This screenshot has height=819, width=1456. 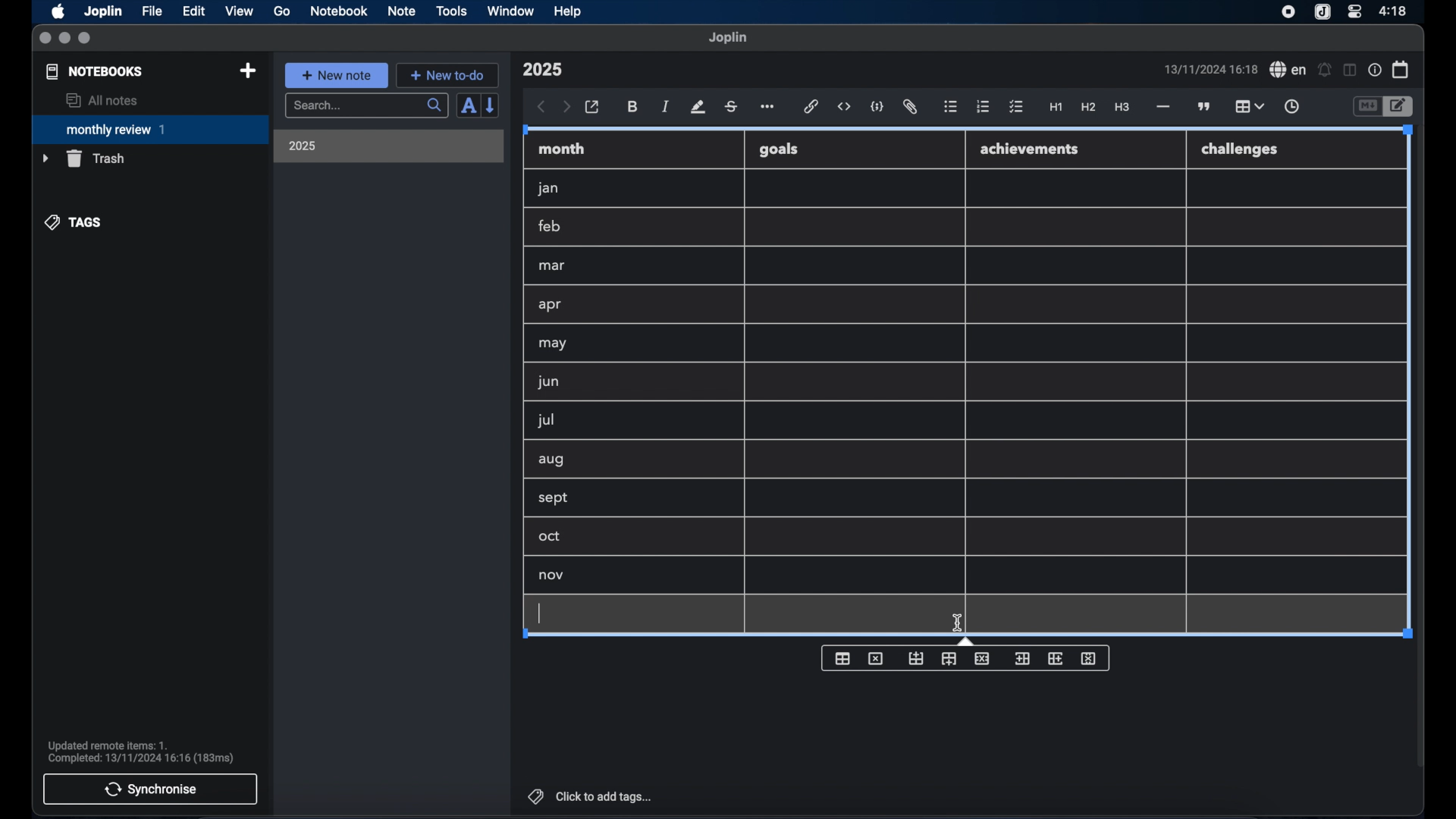 What do you see at coordinates (566, 108) in the screenshot?
I see `forward` at bounding box center [566, 108].